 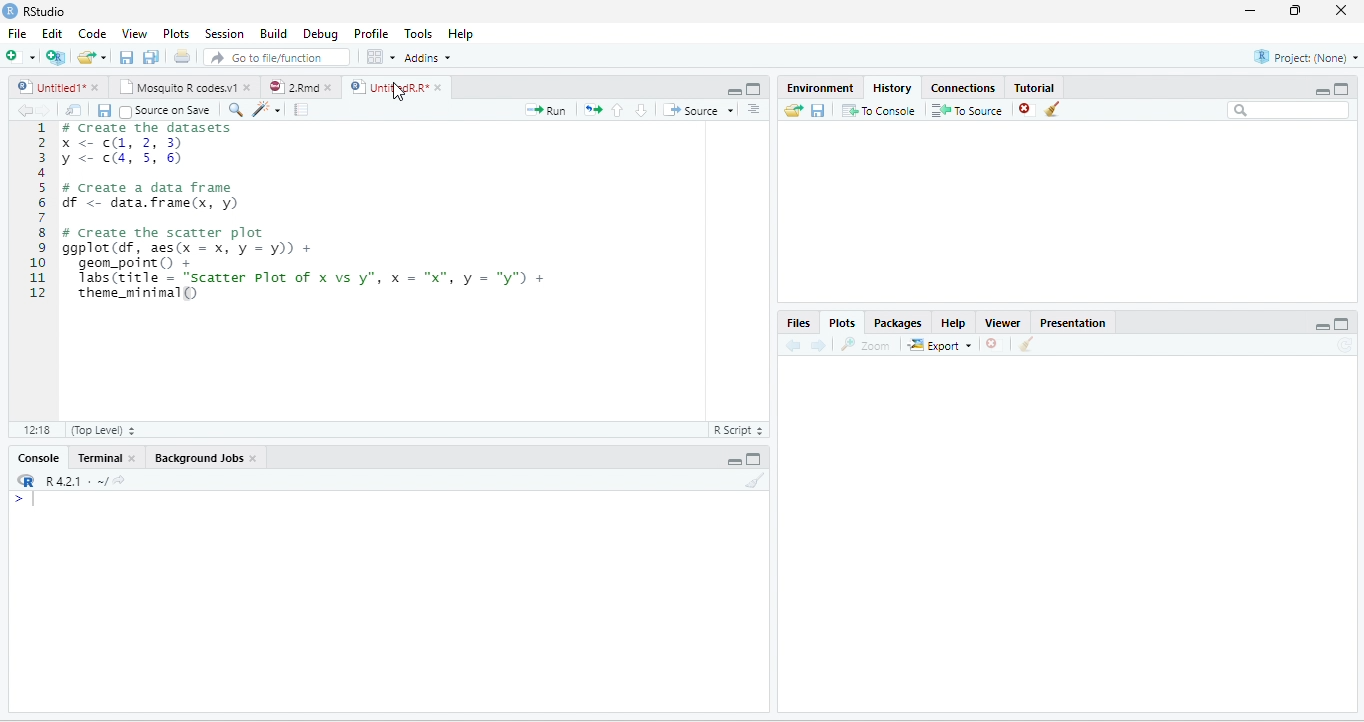 What do you see at coordinates (1344, 344) in the screenshot?
I see `Refresh current plot` at bounding box center [1344, 344].